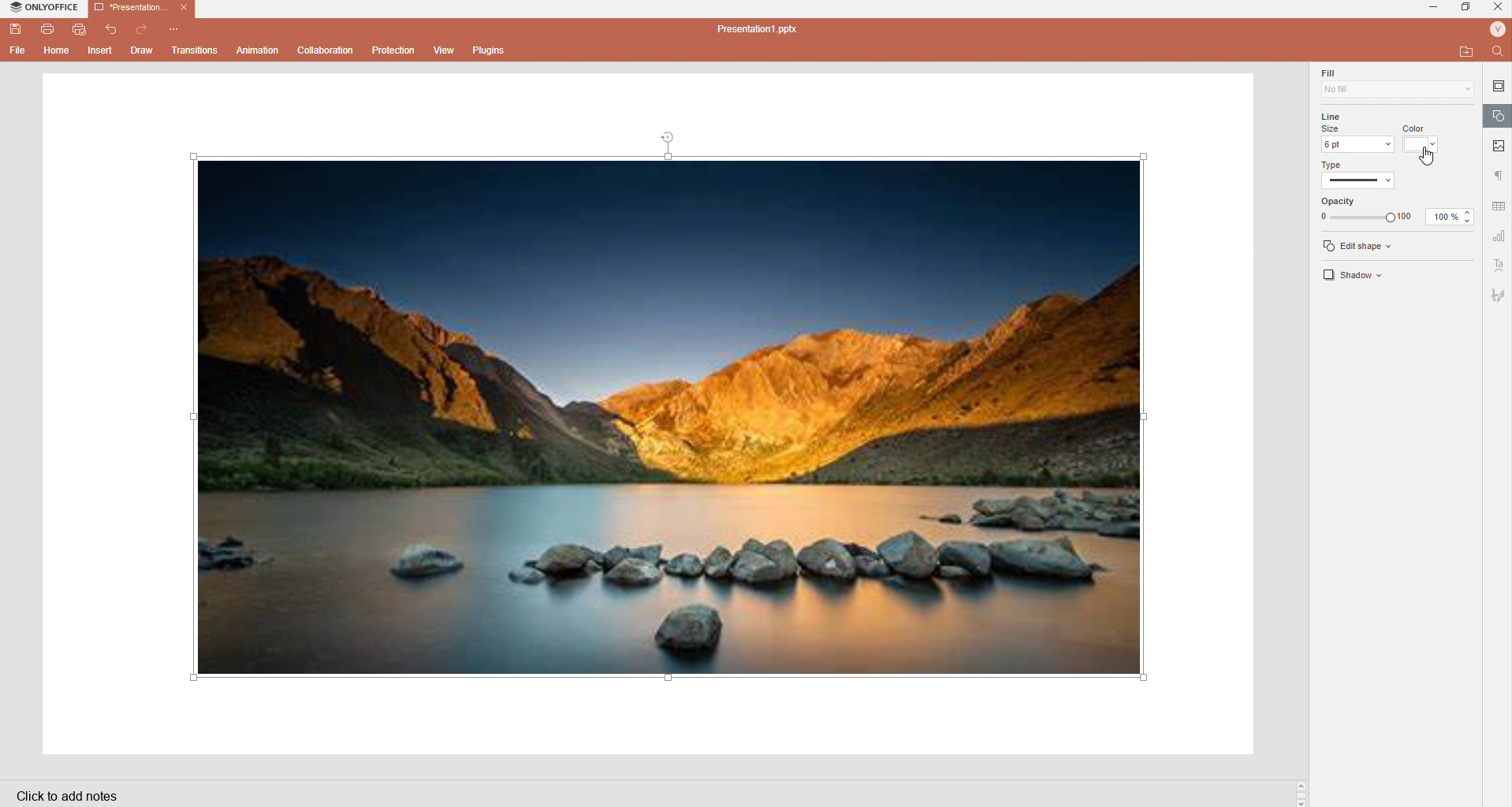 The width and height of the screenshot is (1512, 807). I want to click on Increase opacity %, so click(1469, 211).